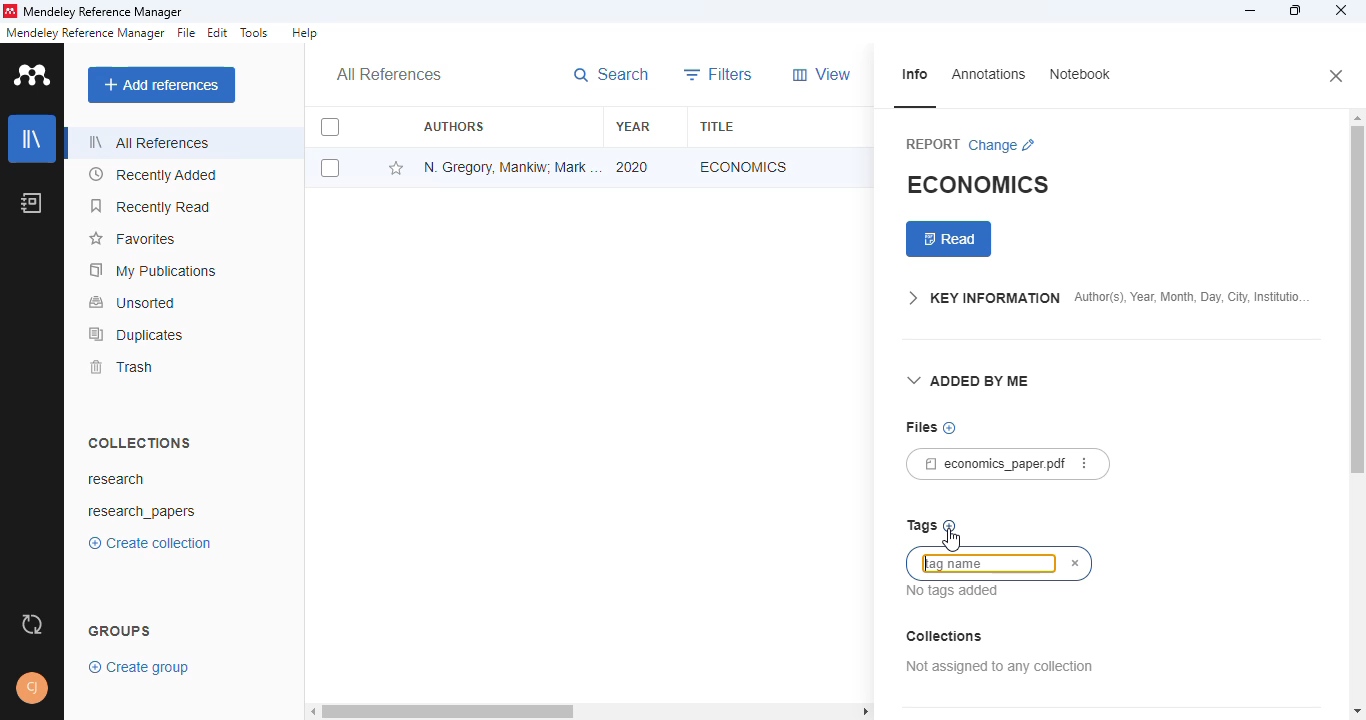 Image resolution: width=1366 pixels, height=720 pixels. Describe the element at coordinates (120, 368) in the screenshot. I see `trash` at that location.